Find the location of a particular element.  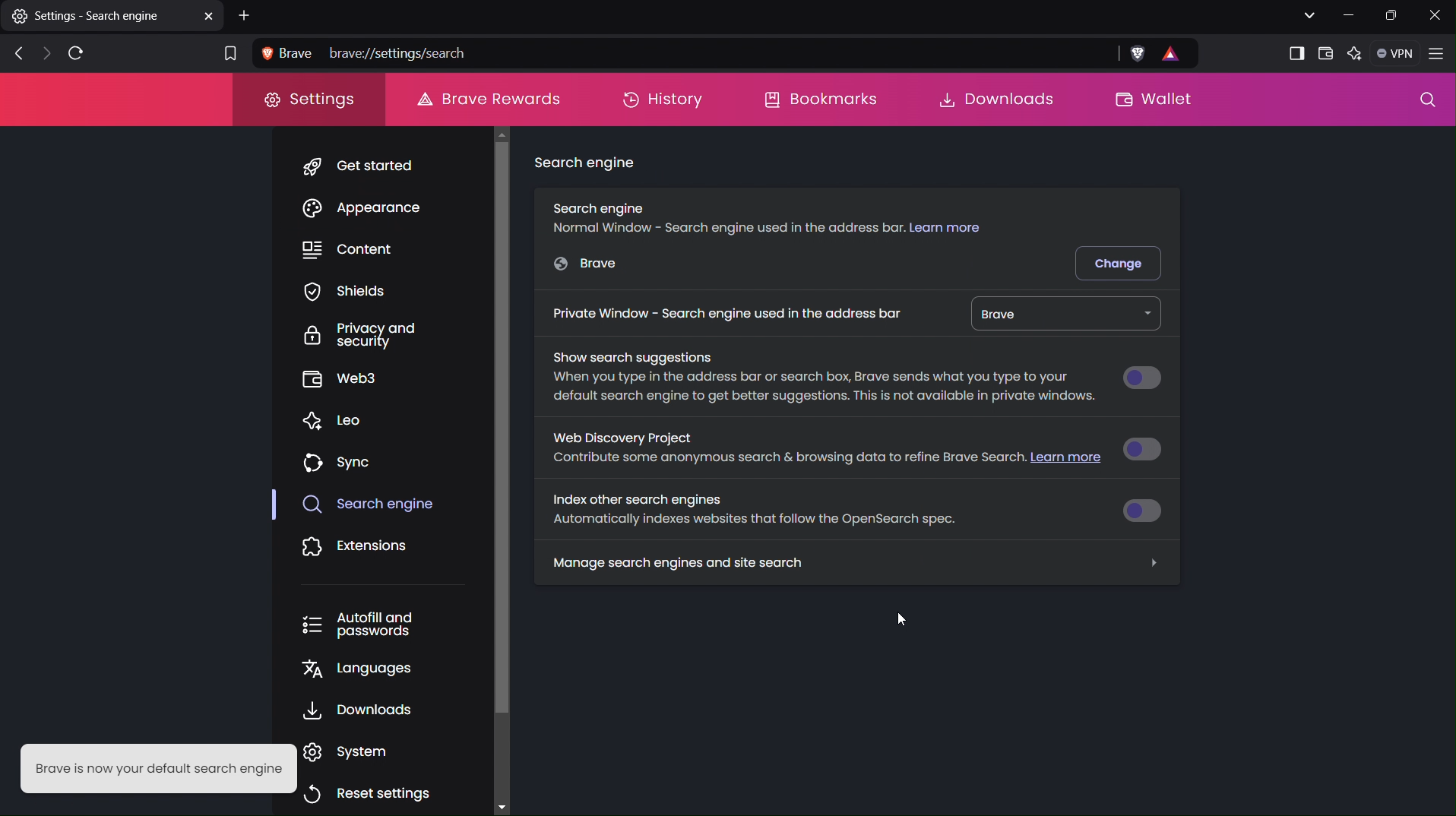

Rewards is located at coordinates (1179, 54).